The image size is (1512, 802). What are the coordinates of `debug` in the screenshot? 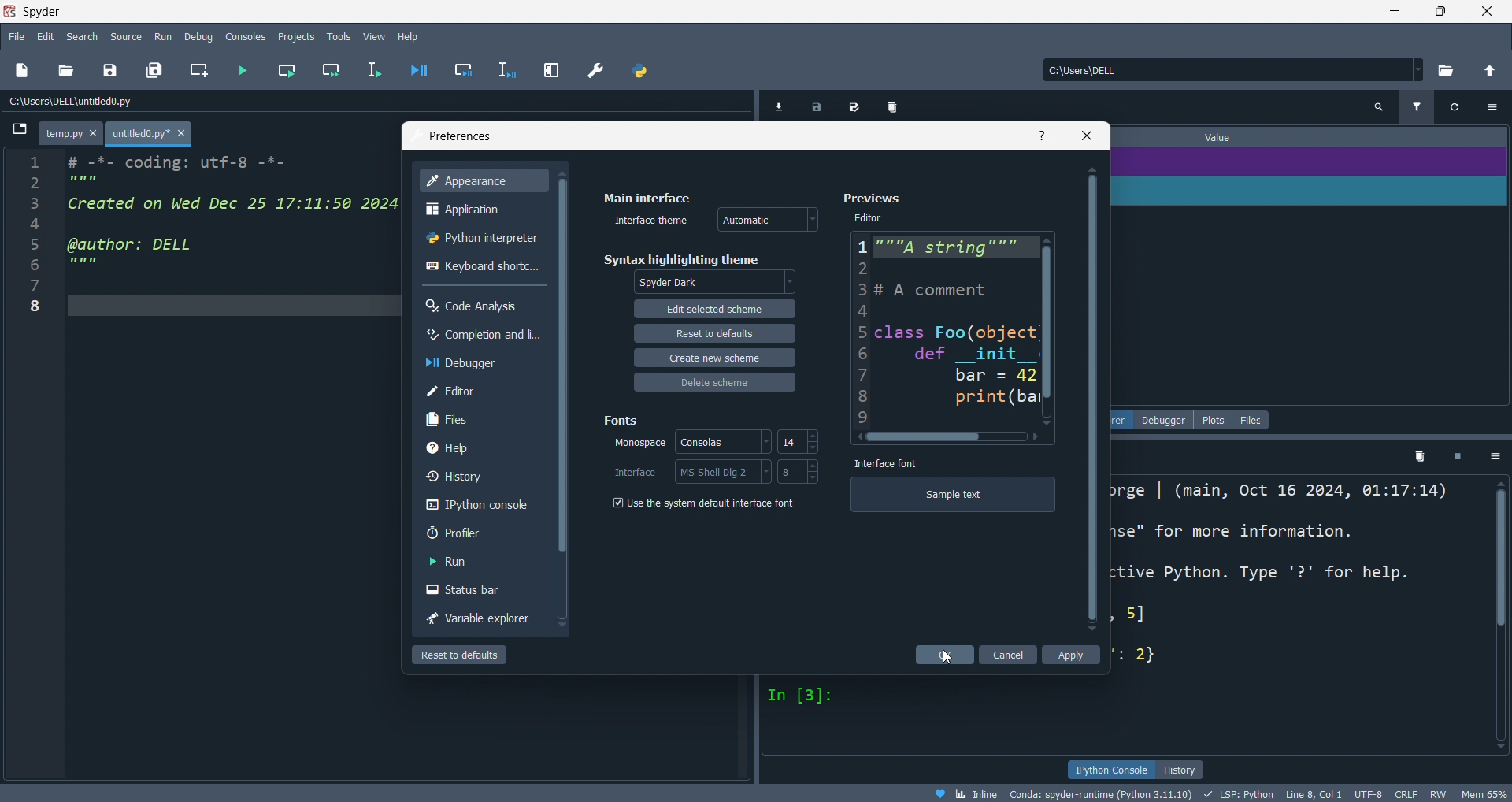 It's located at (199, 36).